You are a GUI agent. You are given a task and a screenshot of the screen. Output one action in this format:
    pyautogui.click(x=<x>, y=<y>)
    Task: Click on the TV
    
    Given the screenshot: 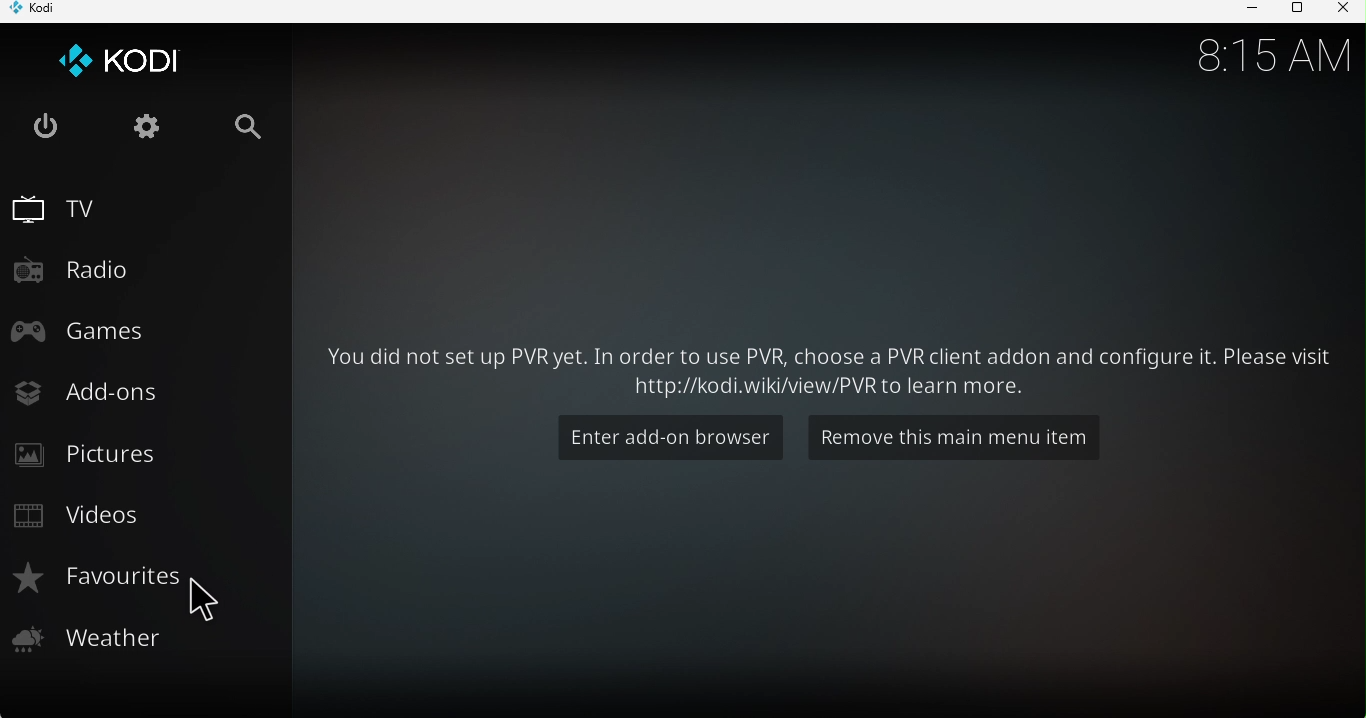 What is the action you would take?
    pyautogui.click(x=130, y=205)
    